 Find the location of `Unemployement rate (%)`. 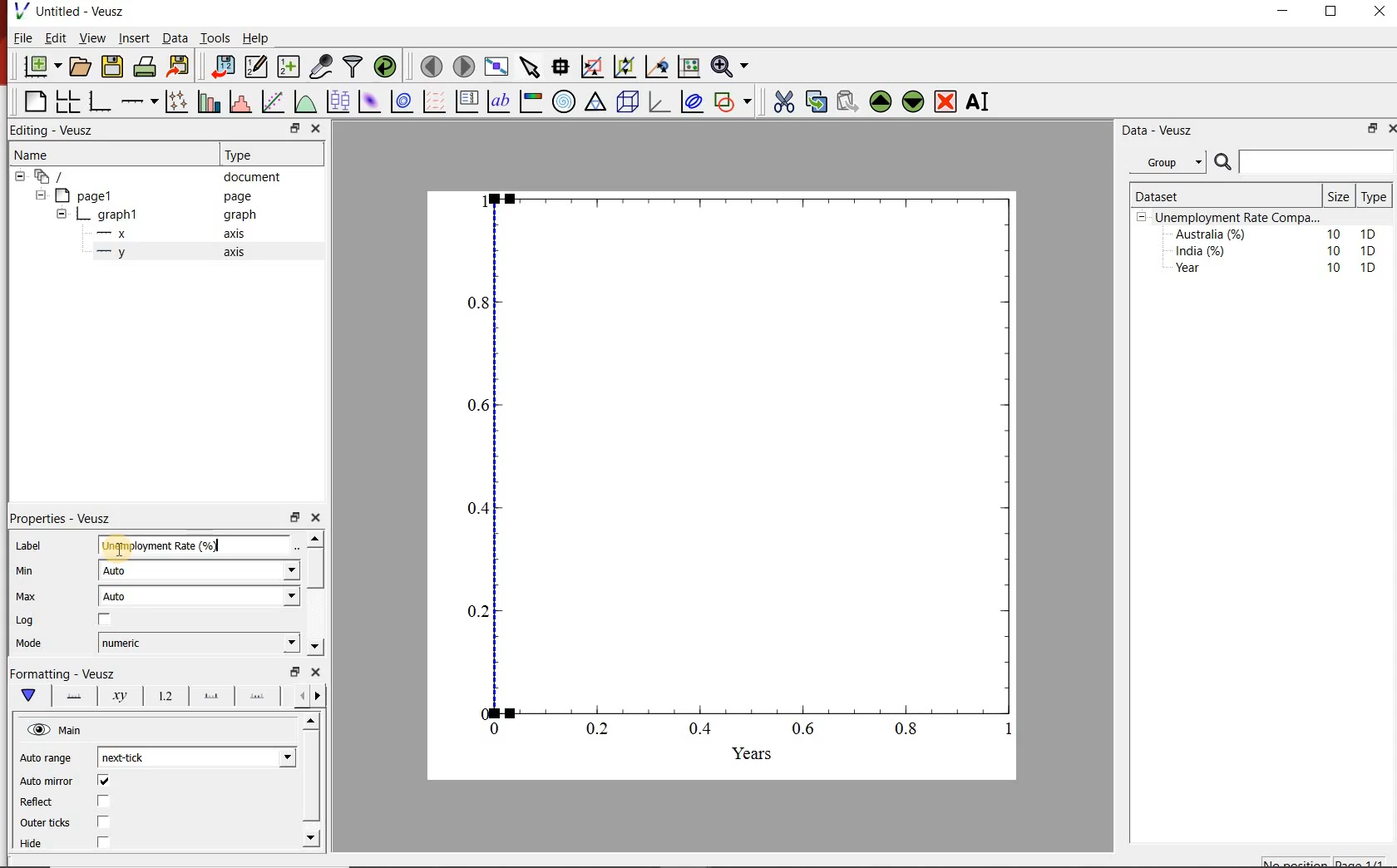

Unemployement rate (%) is located at coordinates (197, 545).